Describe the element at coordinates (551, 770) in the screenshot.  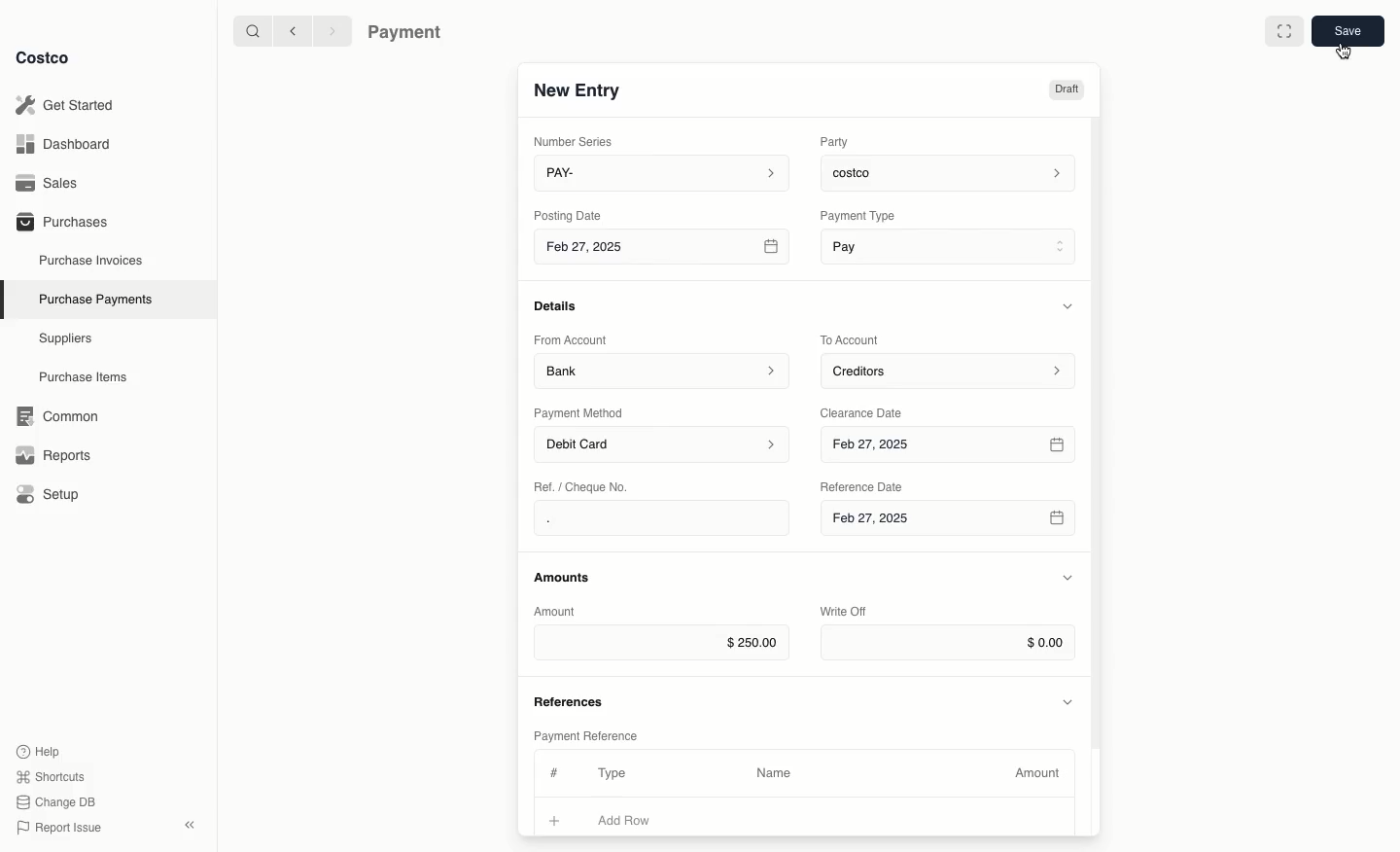
I see `#` at that location.